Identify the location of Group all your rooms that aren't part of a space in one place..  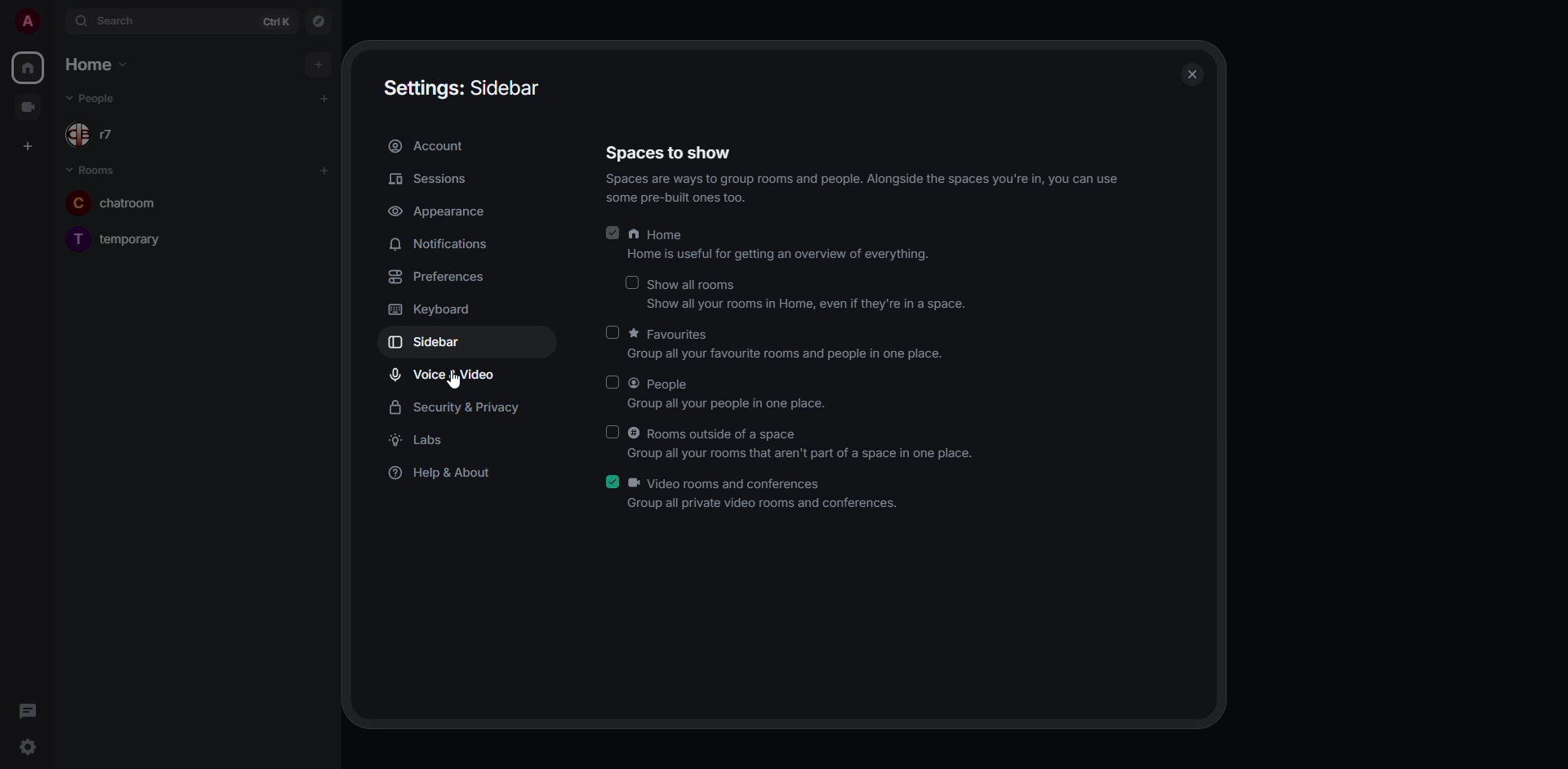
(811, 453).